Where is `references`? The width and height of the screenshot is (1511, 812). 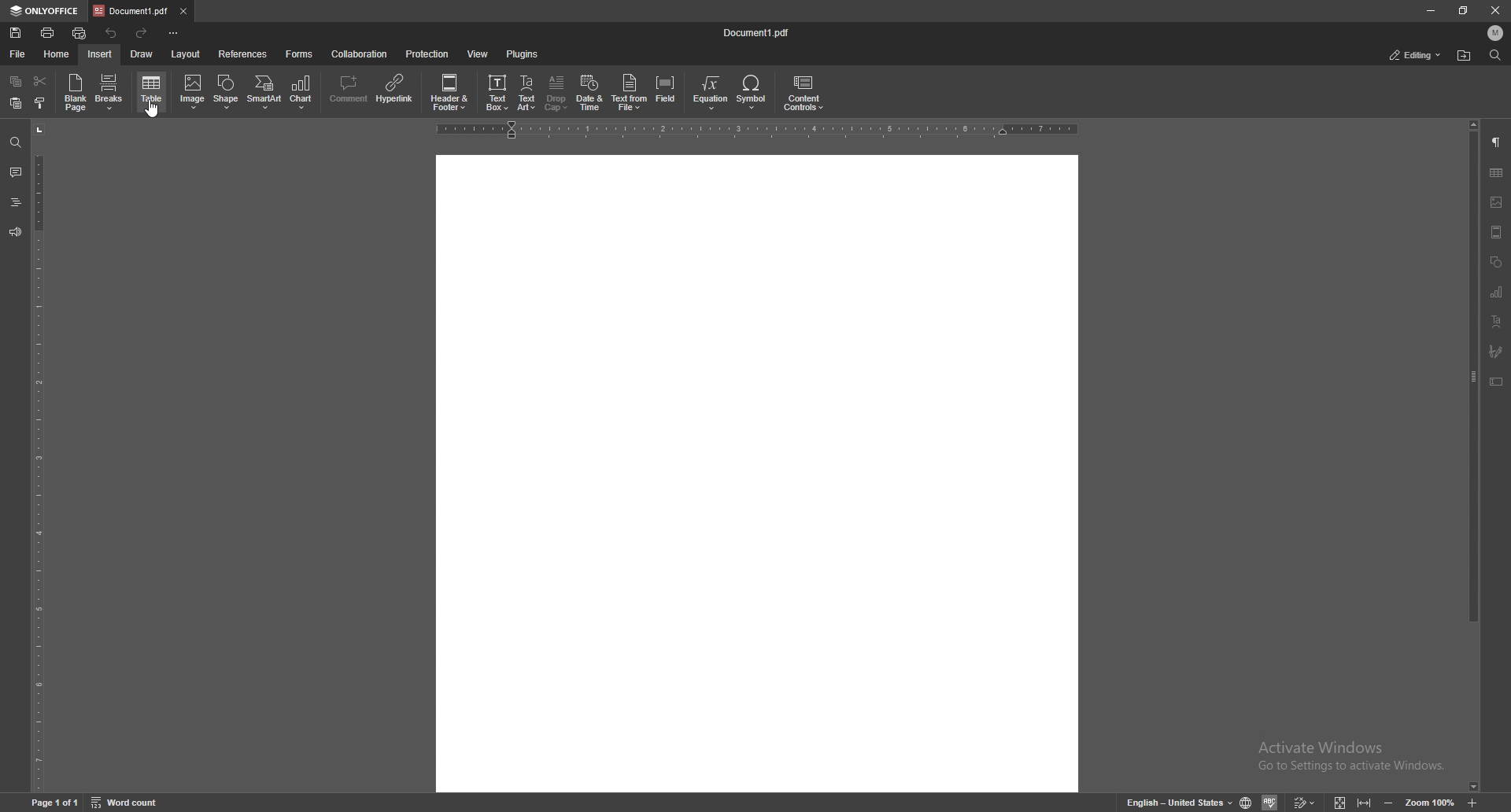
references is located at coordinates (244, 54).